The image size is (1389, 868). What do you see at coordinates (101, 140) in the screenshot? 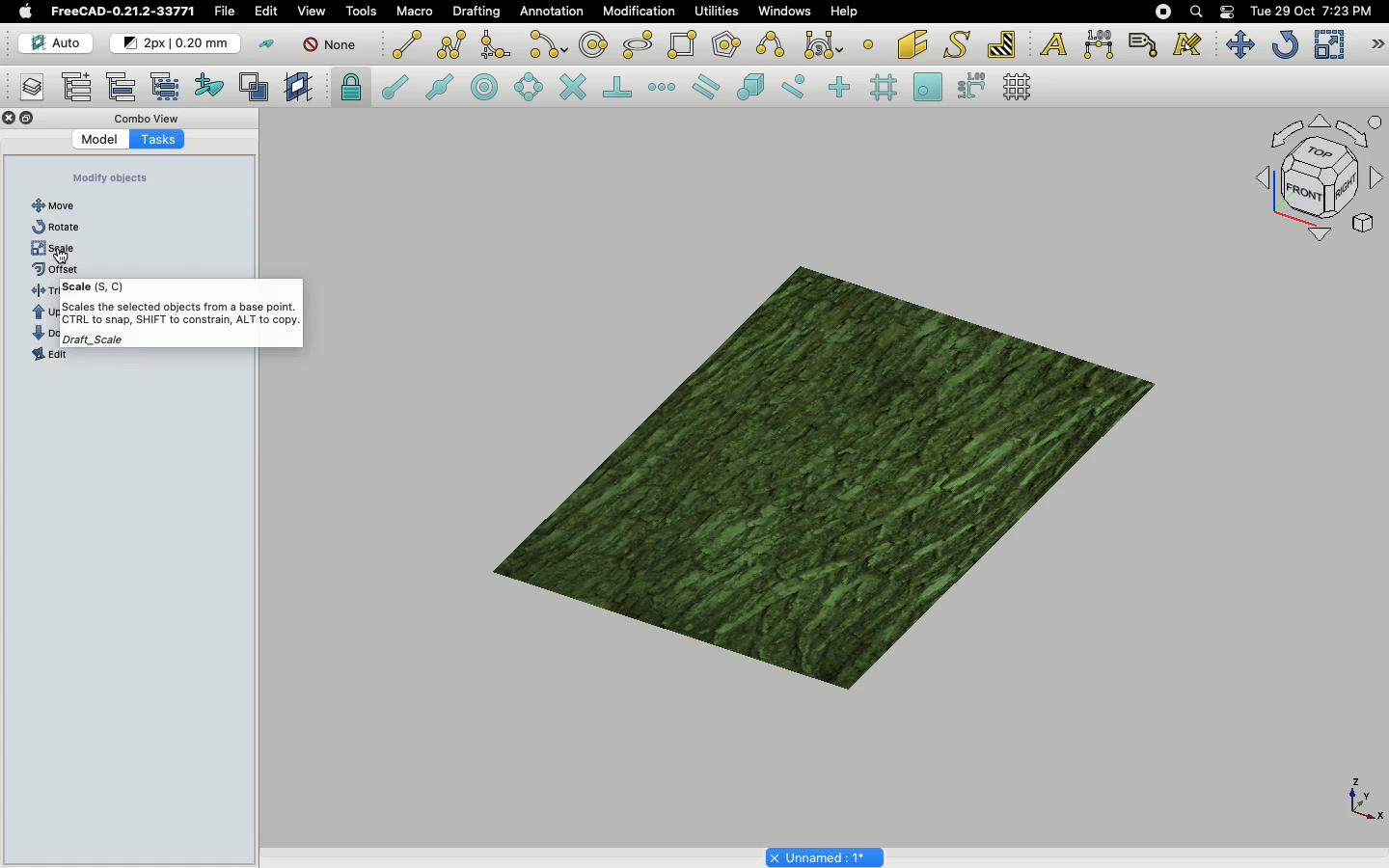
I see `Model` at bounding box center [101, 140].